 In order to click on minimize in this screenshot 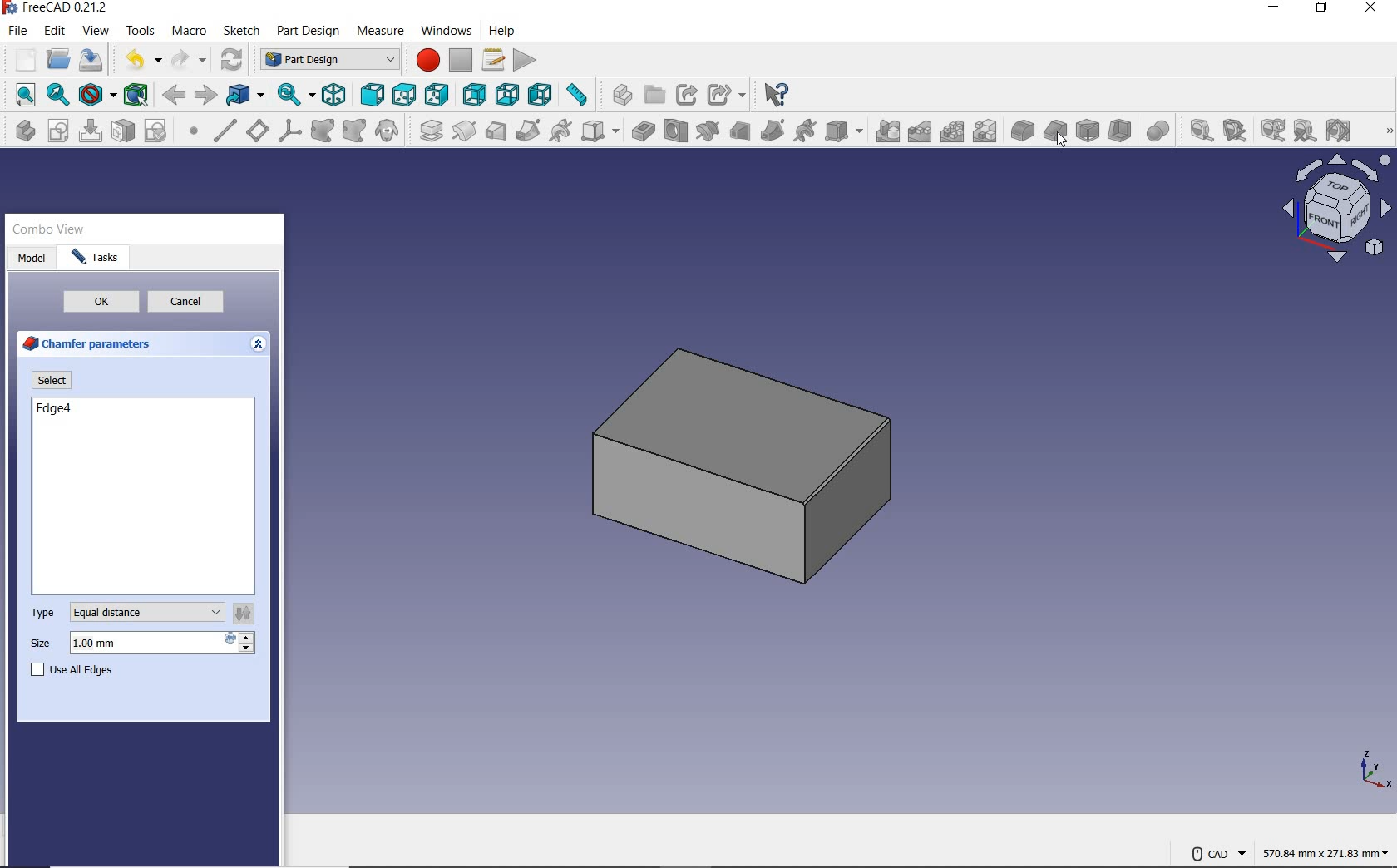, I will do `click(1272, 9)`.